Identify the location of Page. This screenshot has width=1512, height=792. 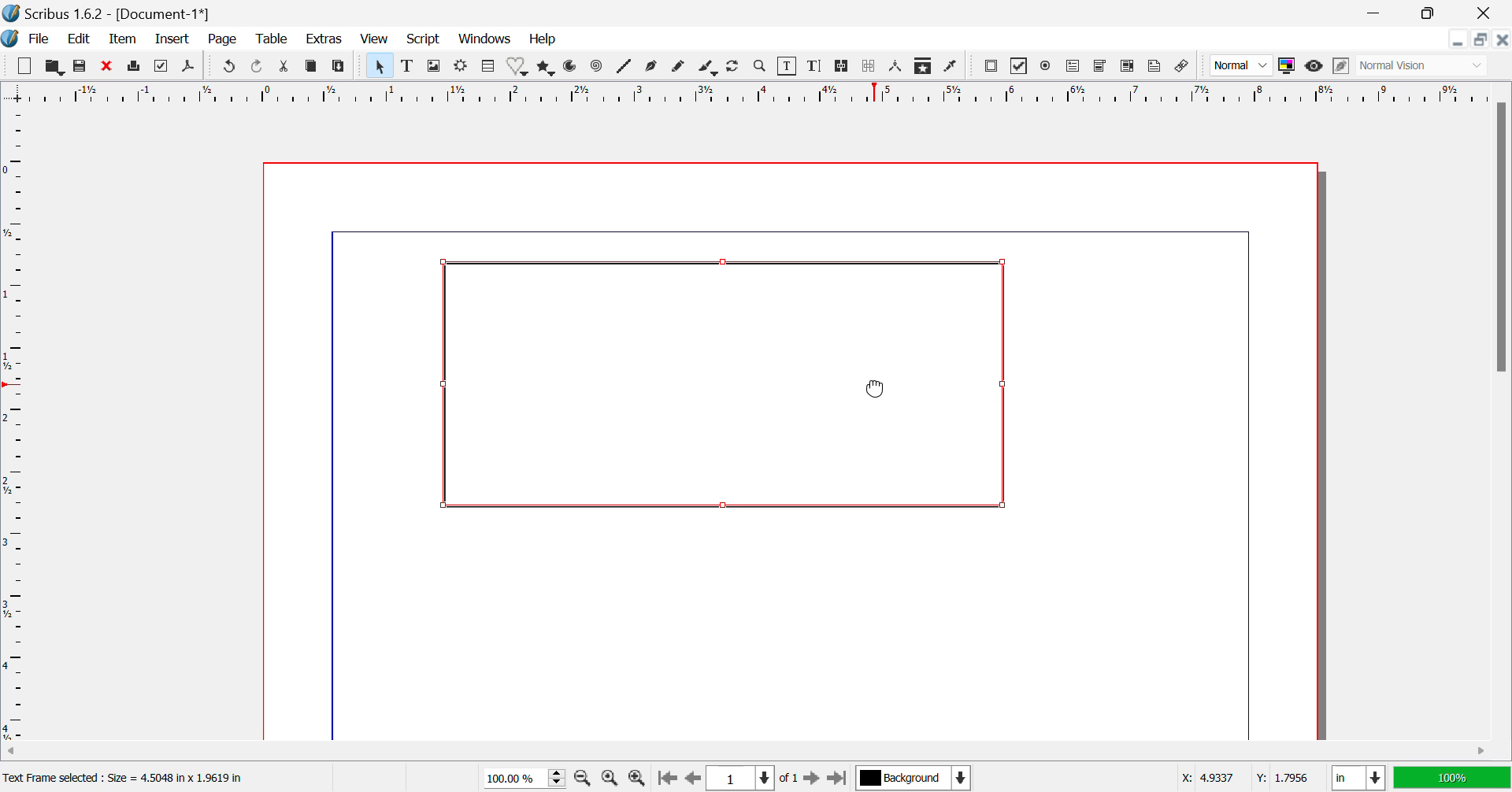
(225, 41).